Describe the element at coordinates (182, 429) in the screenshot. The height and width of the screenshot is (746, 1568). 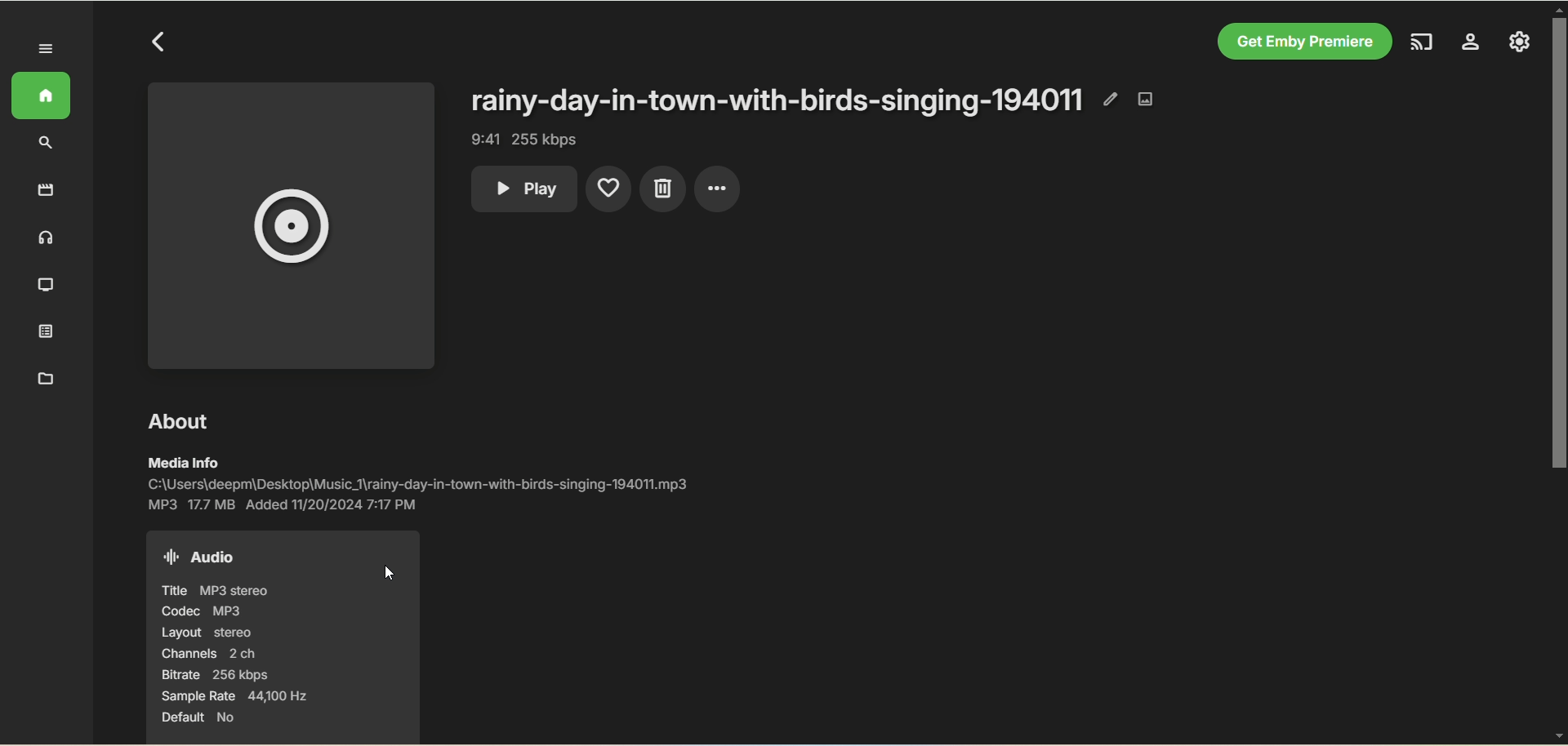
I see `about` at that location.